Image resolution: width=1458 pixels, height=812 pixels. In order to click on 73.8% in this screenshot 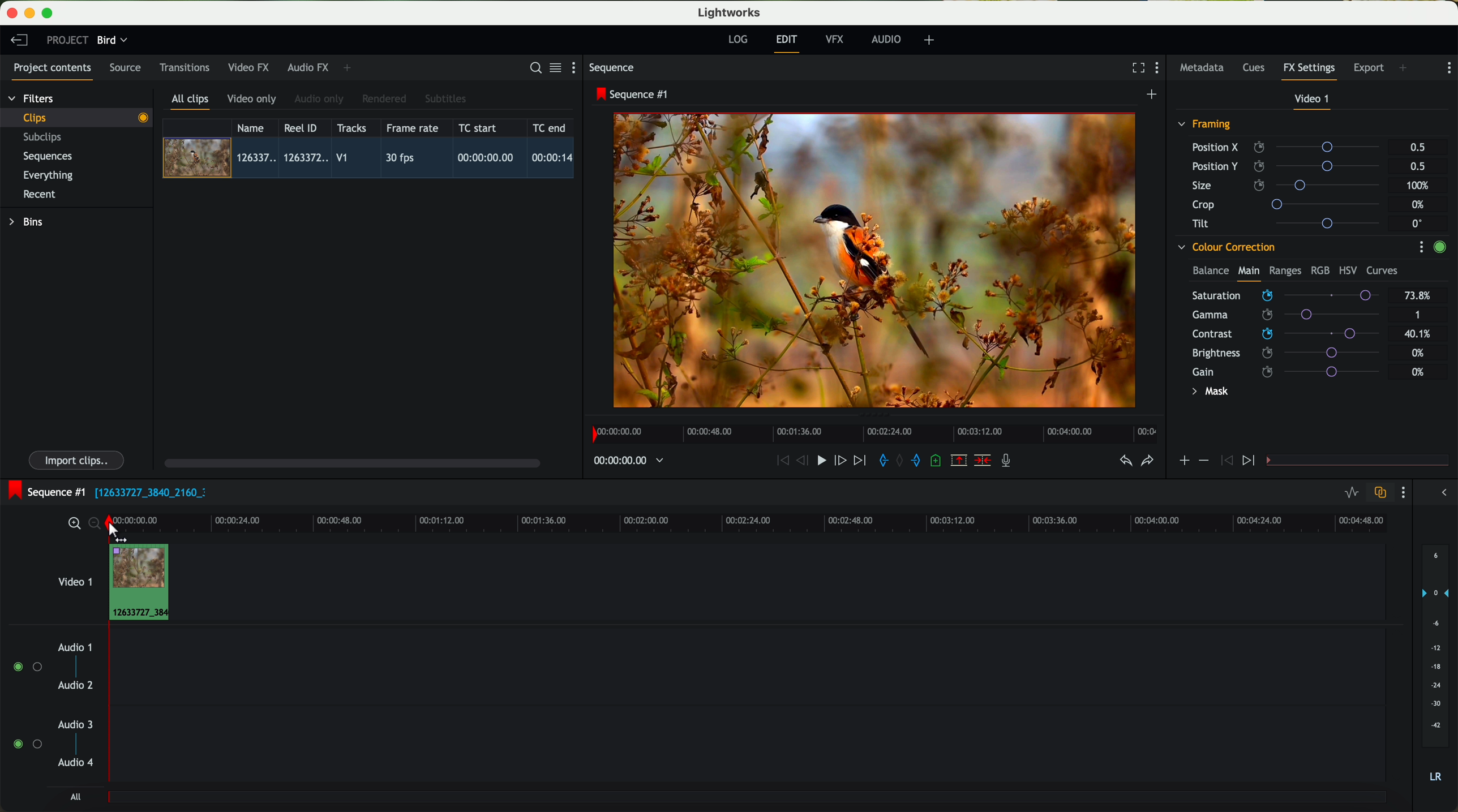, I will do `click(1418, 296)`.